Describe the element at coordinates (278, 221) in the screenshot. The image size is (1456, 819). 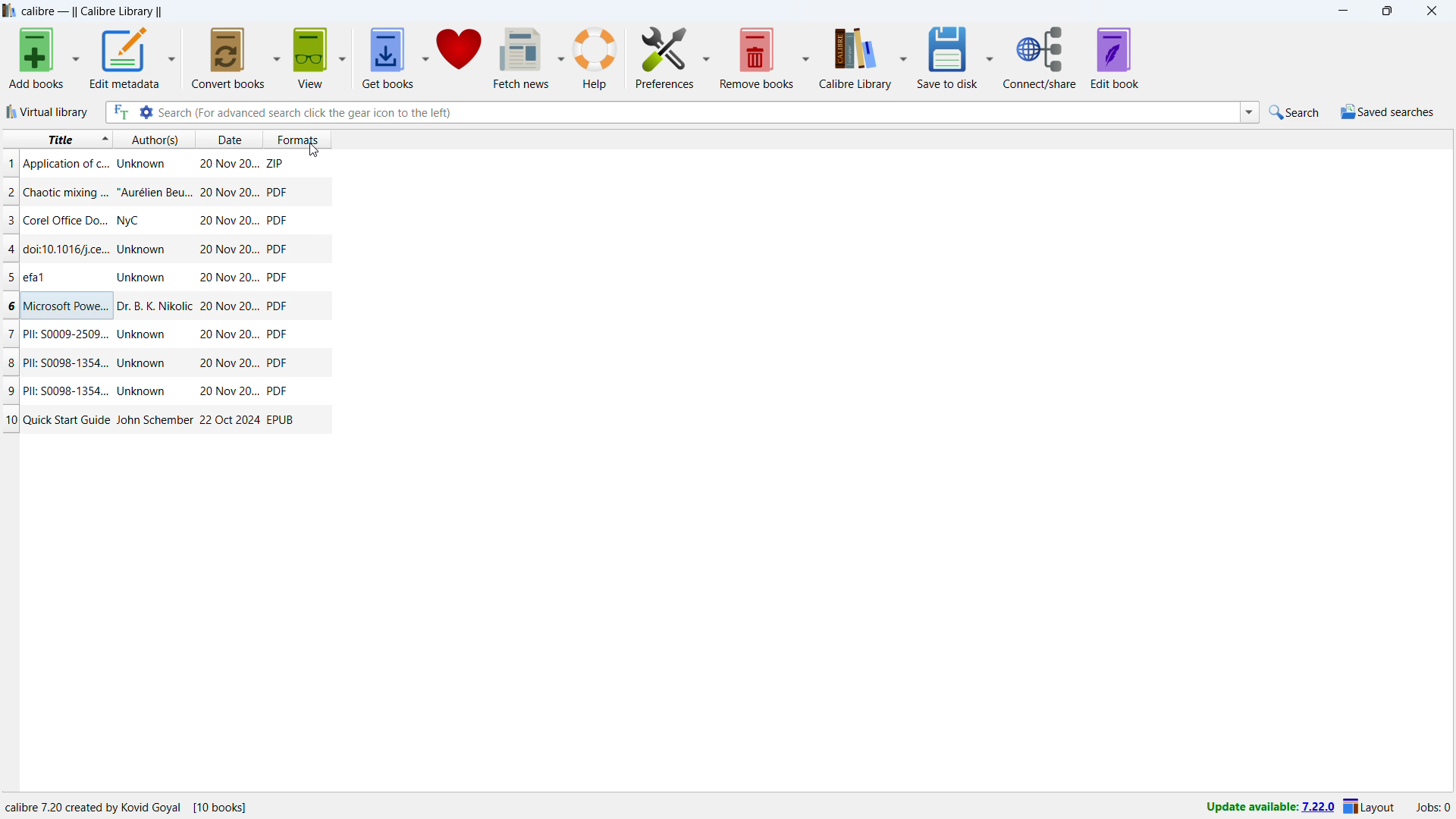
I see `PDF` at that location.